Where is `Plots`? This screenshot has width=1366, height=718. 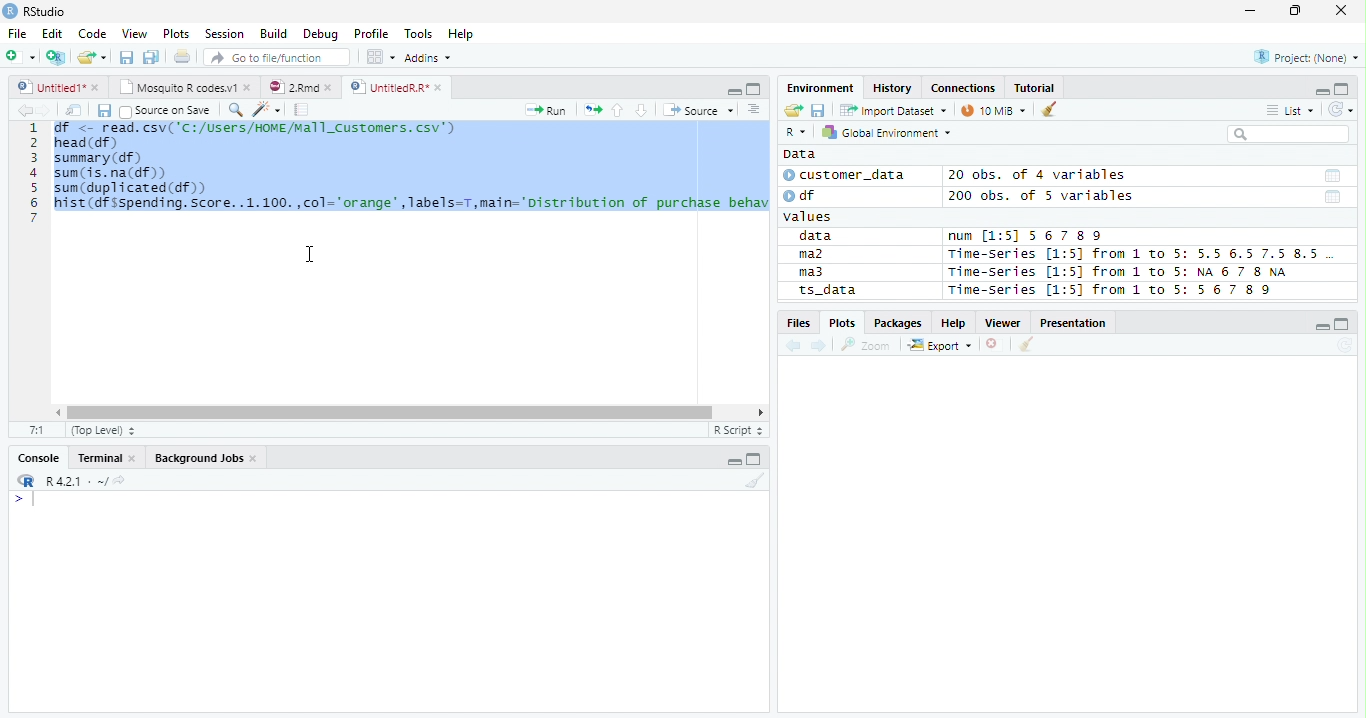 Plots is located at coordinates (176, 34).